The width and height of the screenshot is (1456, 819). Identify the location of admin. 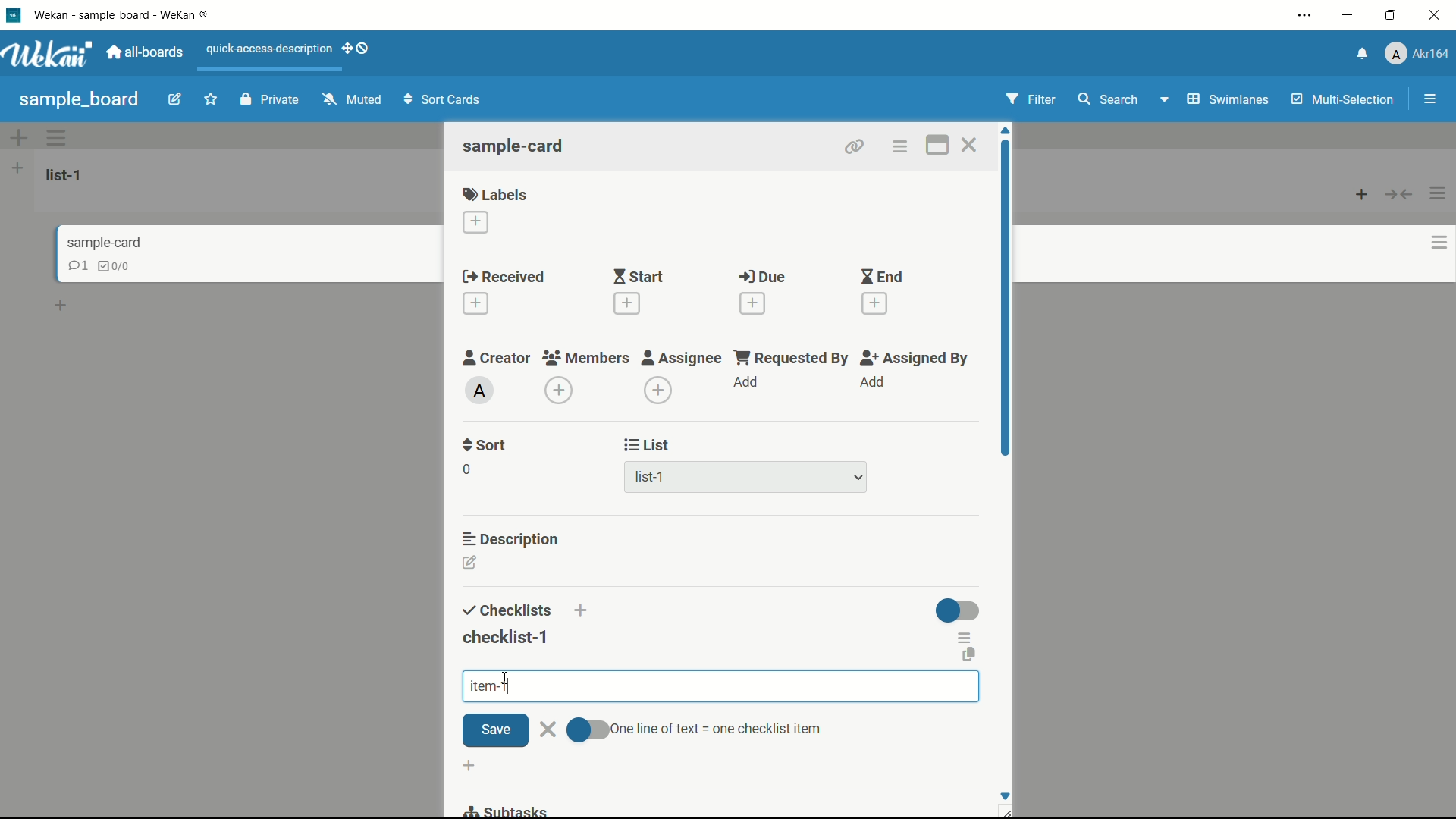
(479, 391).